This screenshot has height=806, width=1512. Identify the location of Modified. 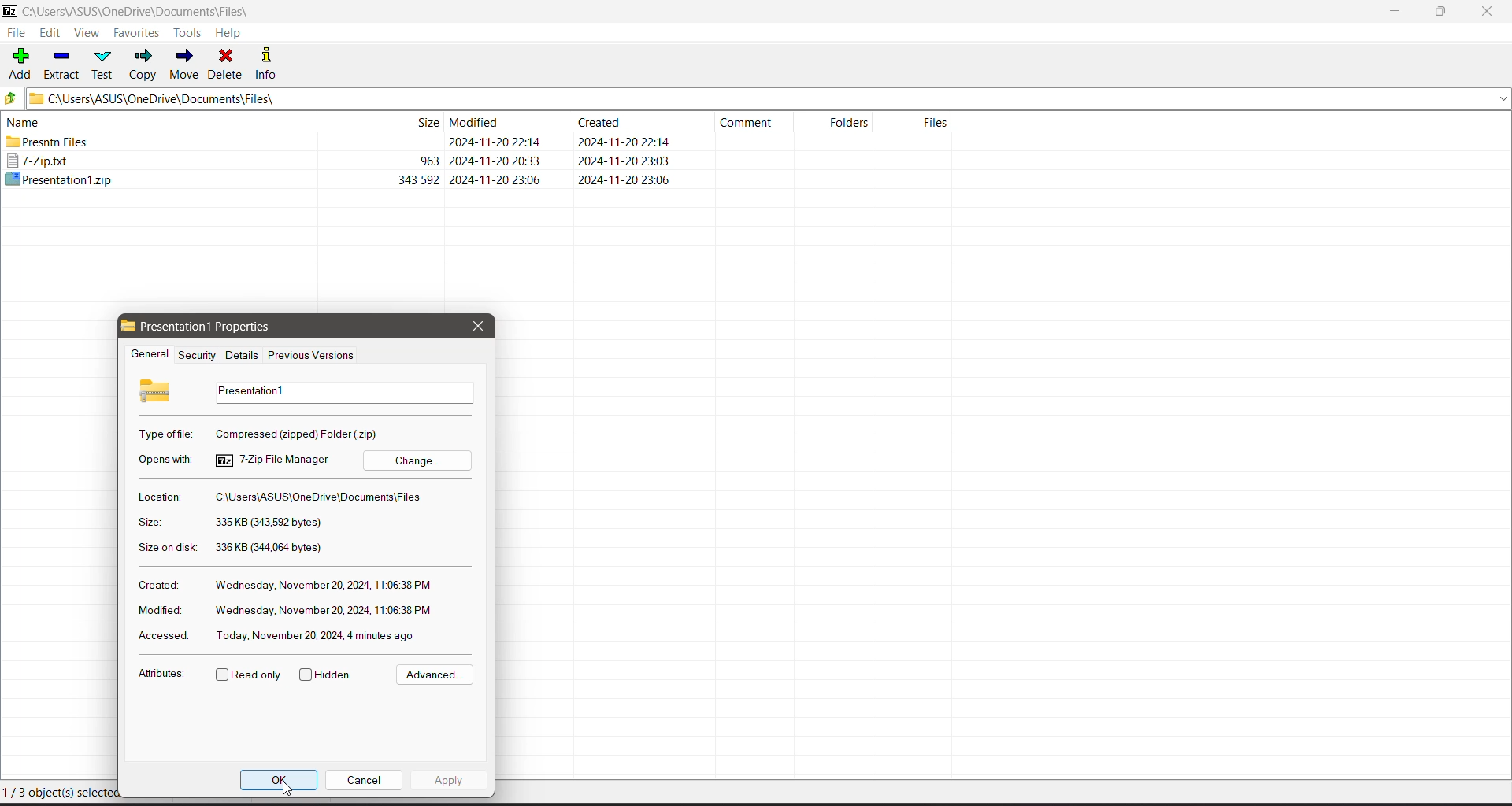
(157, 610).